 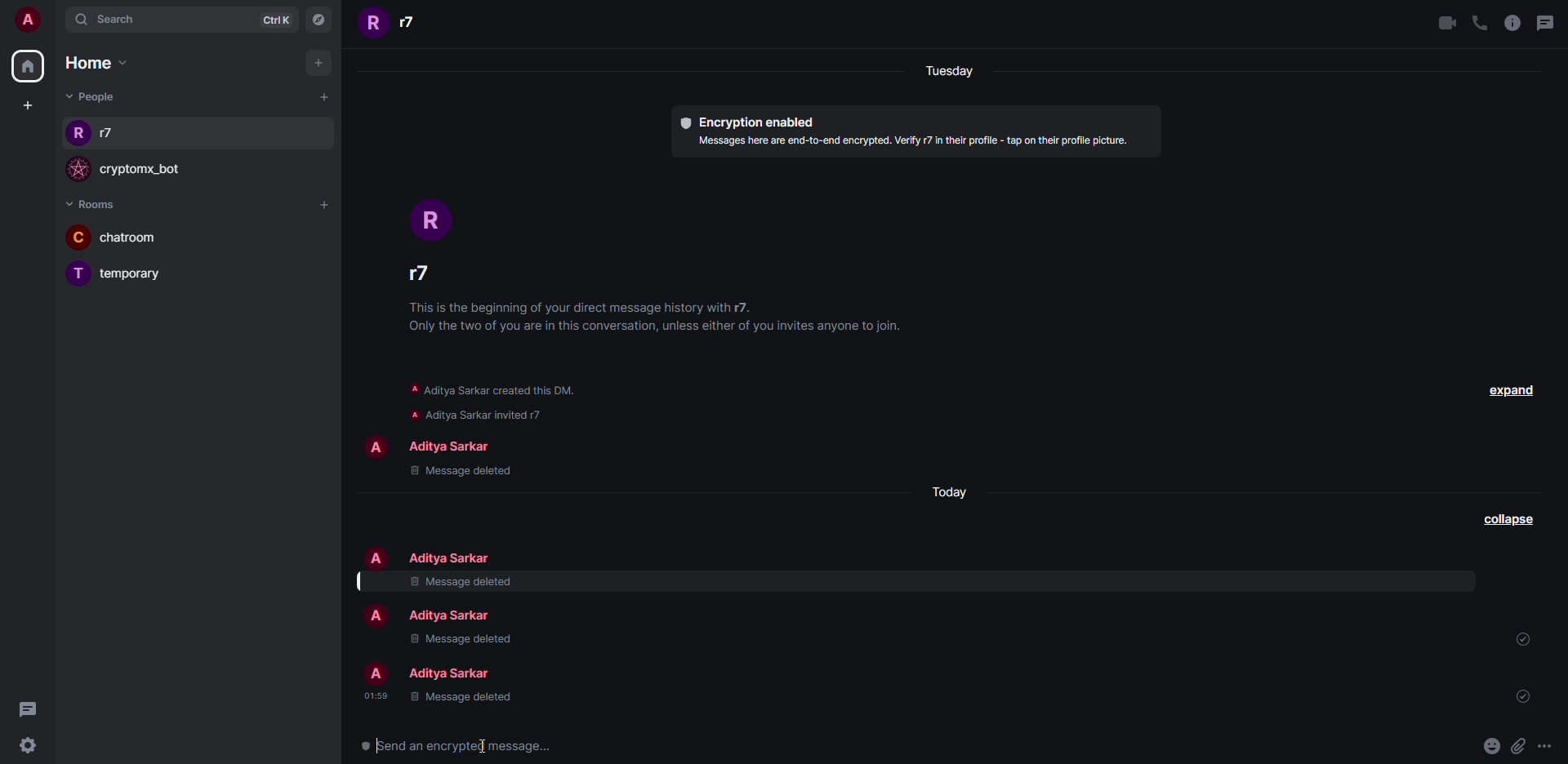 What do you see at coordinates (376, 557) in the screenshot?
I see `profile` at bounding box center [376, 557].